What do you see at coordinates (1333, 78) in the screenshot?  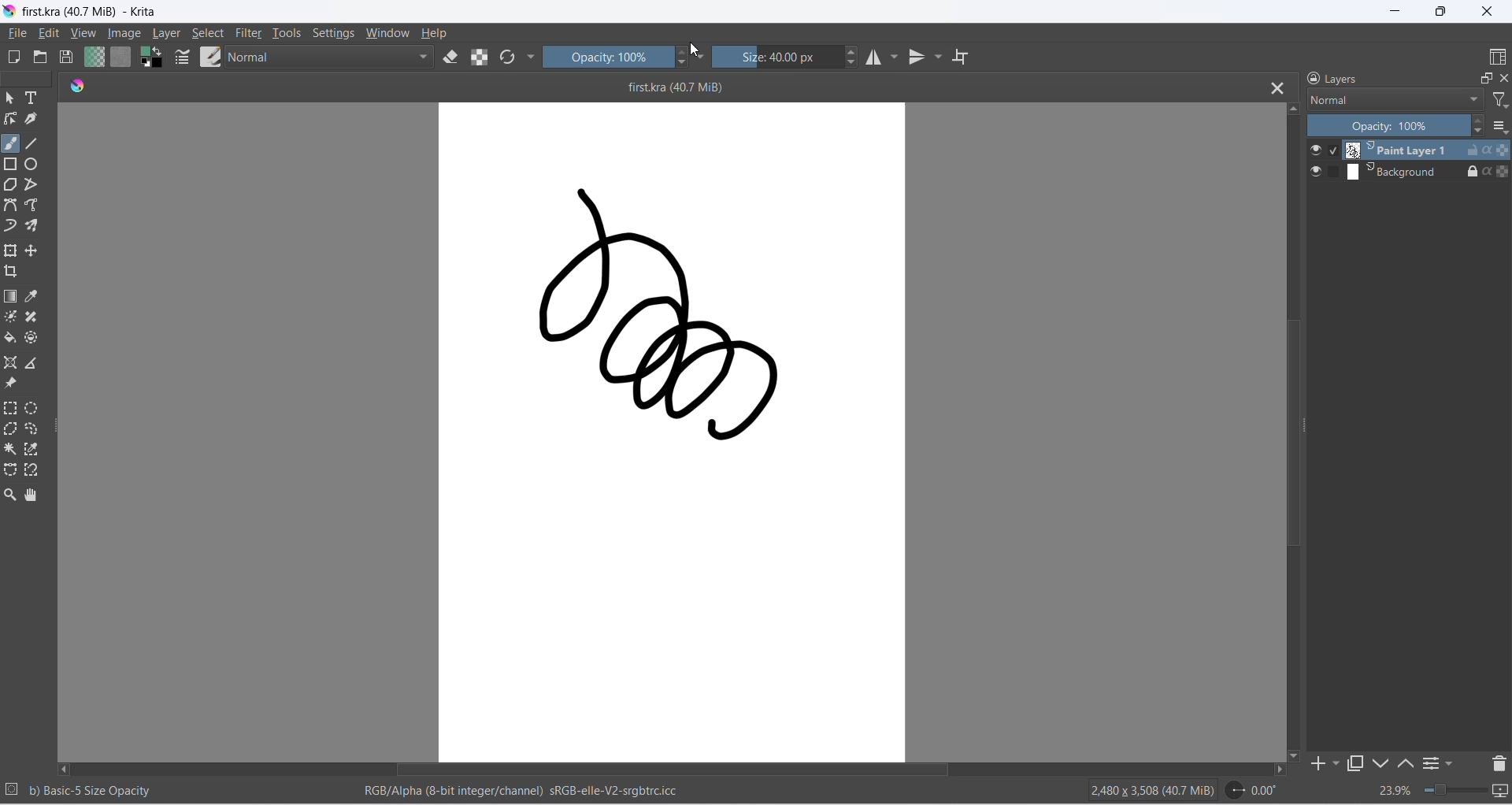 I see `layers` at bounding box center [1333, 78].